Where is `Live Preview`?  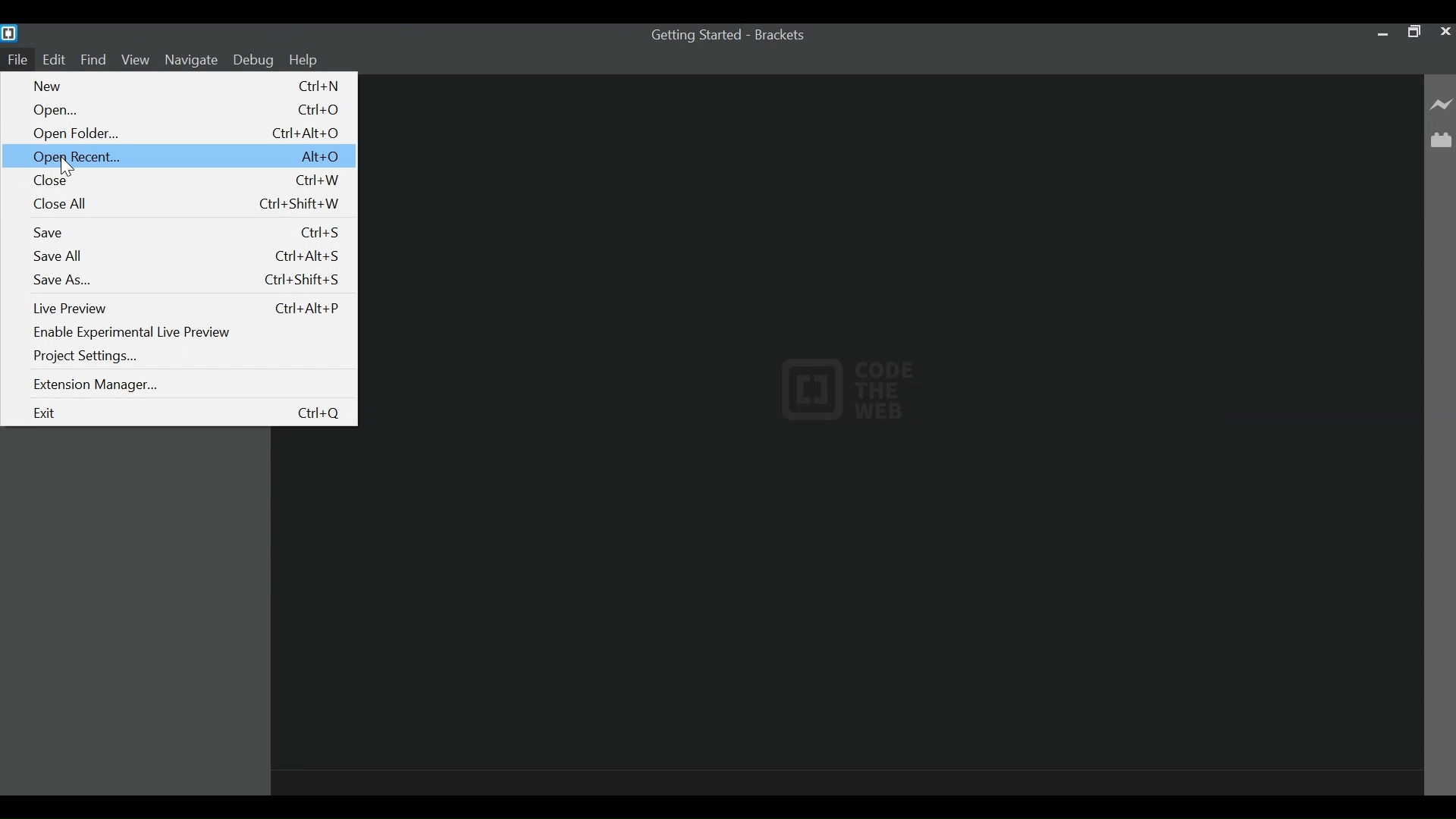
Live Preview is located at coordinates (189, 309).